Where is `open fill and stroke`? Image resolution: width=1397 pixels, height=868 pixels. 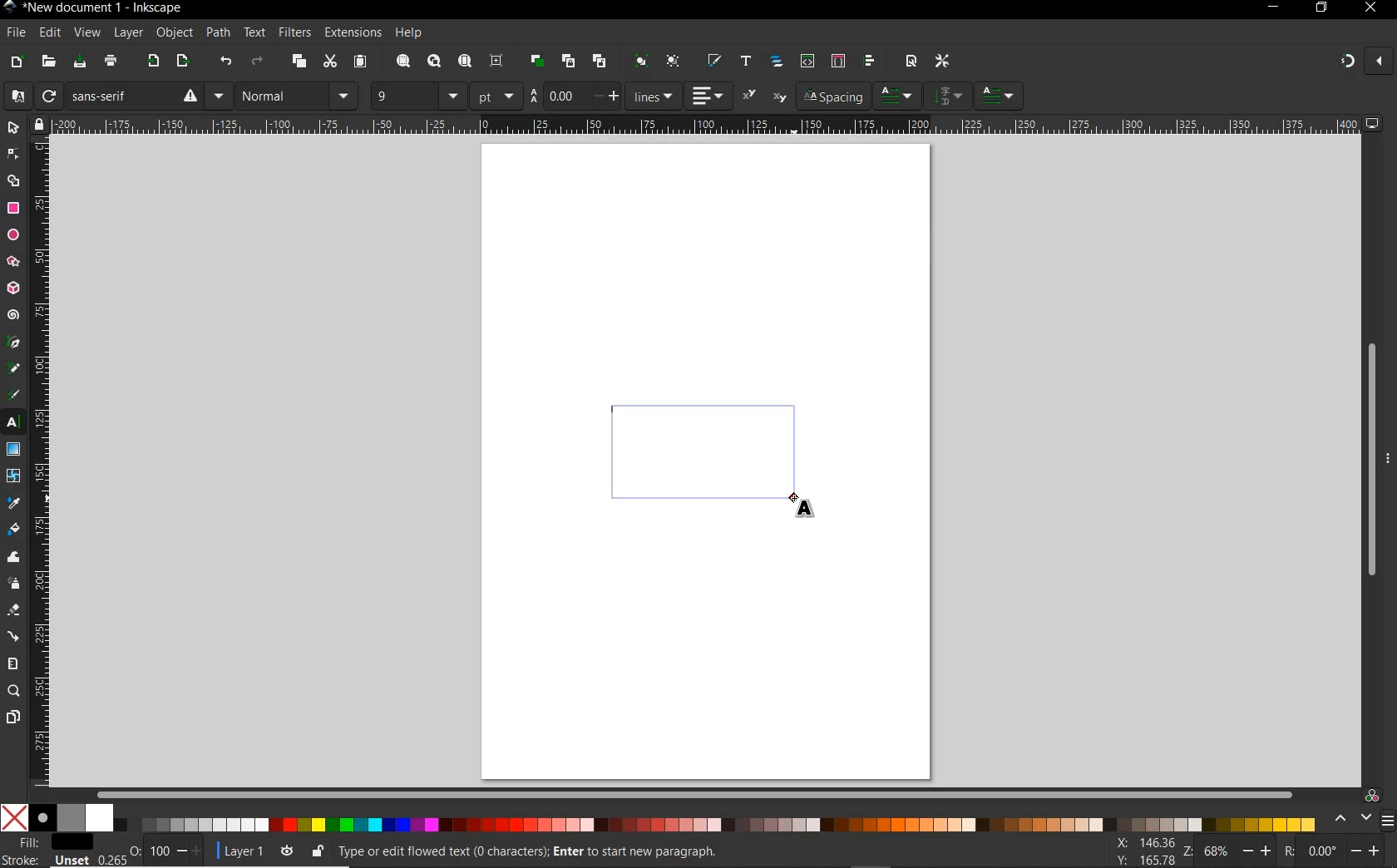 open fill and stroke is located at coordinates (713, 61).